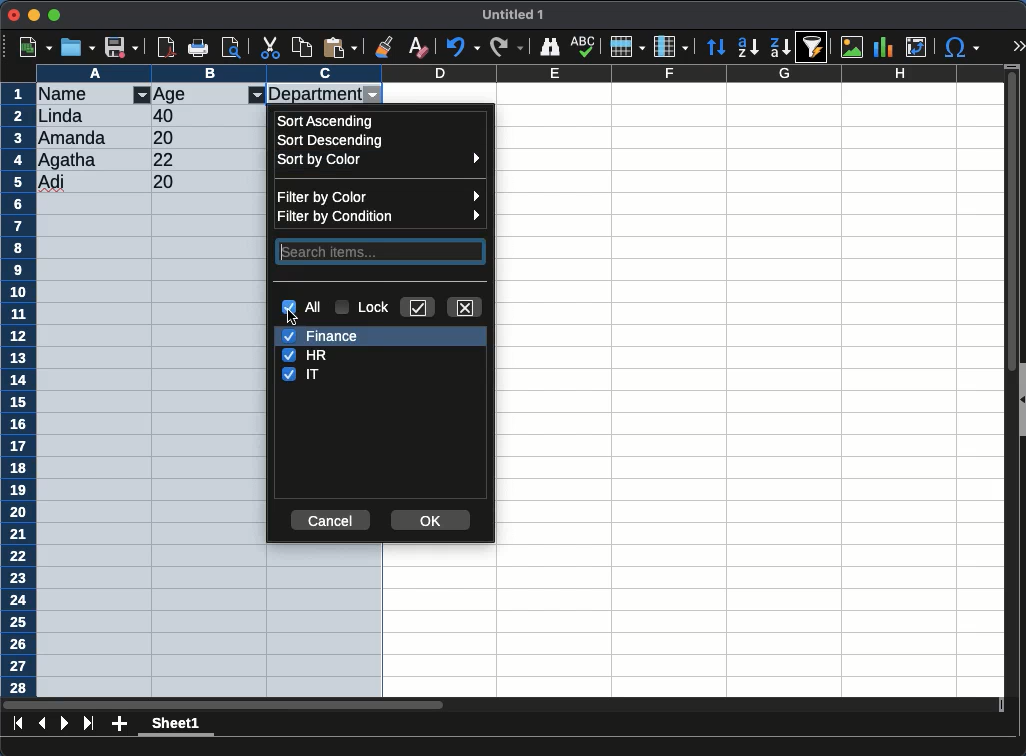 The height and width of the screenshot is (756, 1026). I want to click on descending , so click(333, 141).